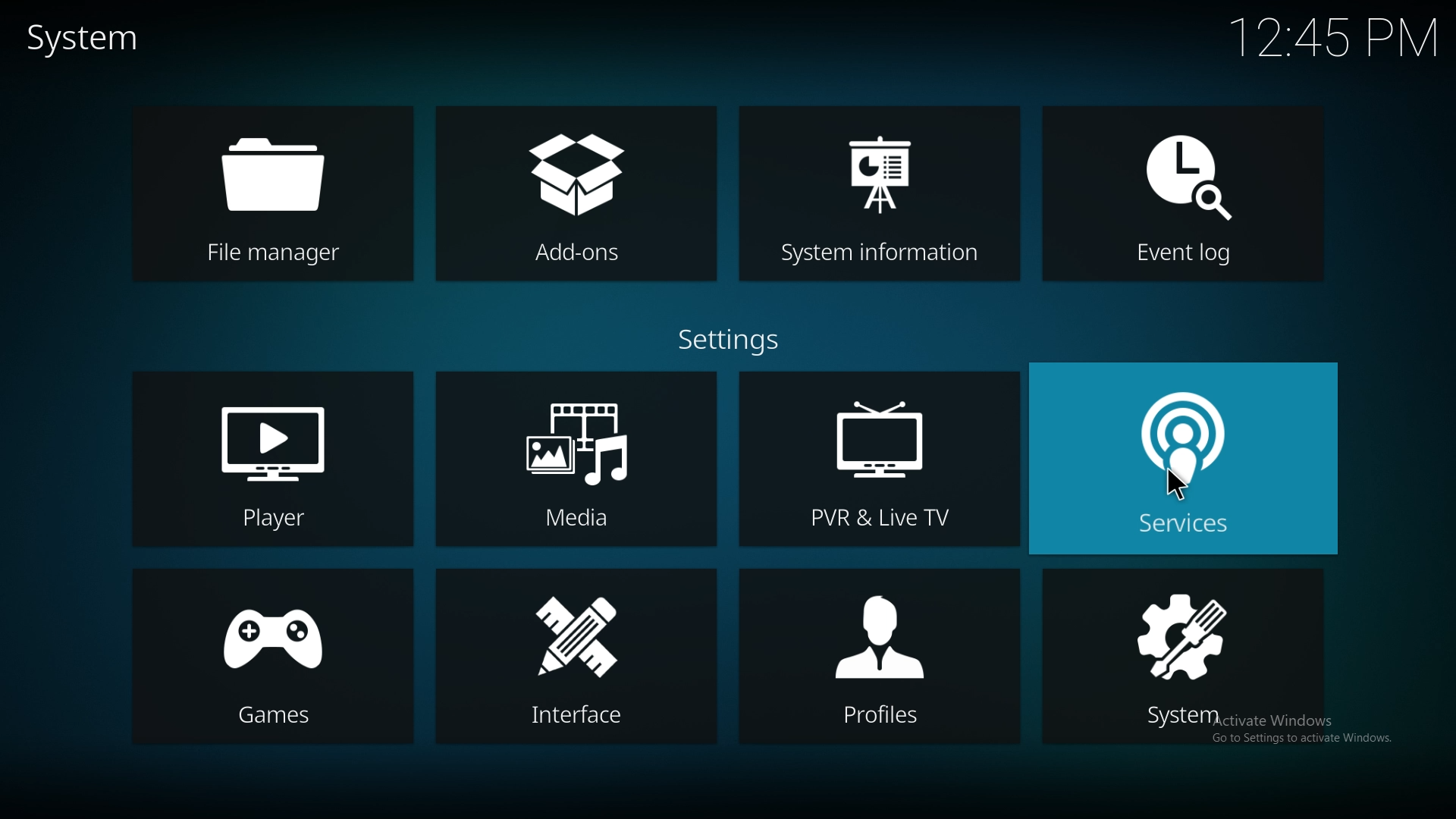 The height and width of the screenshot is (819, 1456). What do you see at coordinates (1185, 655) in the screenshot?
I see `system` at bounding box center [1185, 655].